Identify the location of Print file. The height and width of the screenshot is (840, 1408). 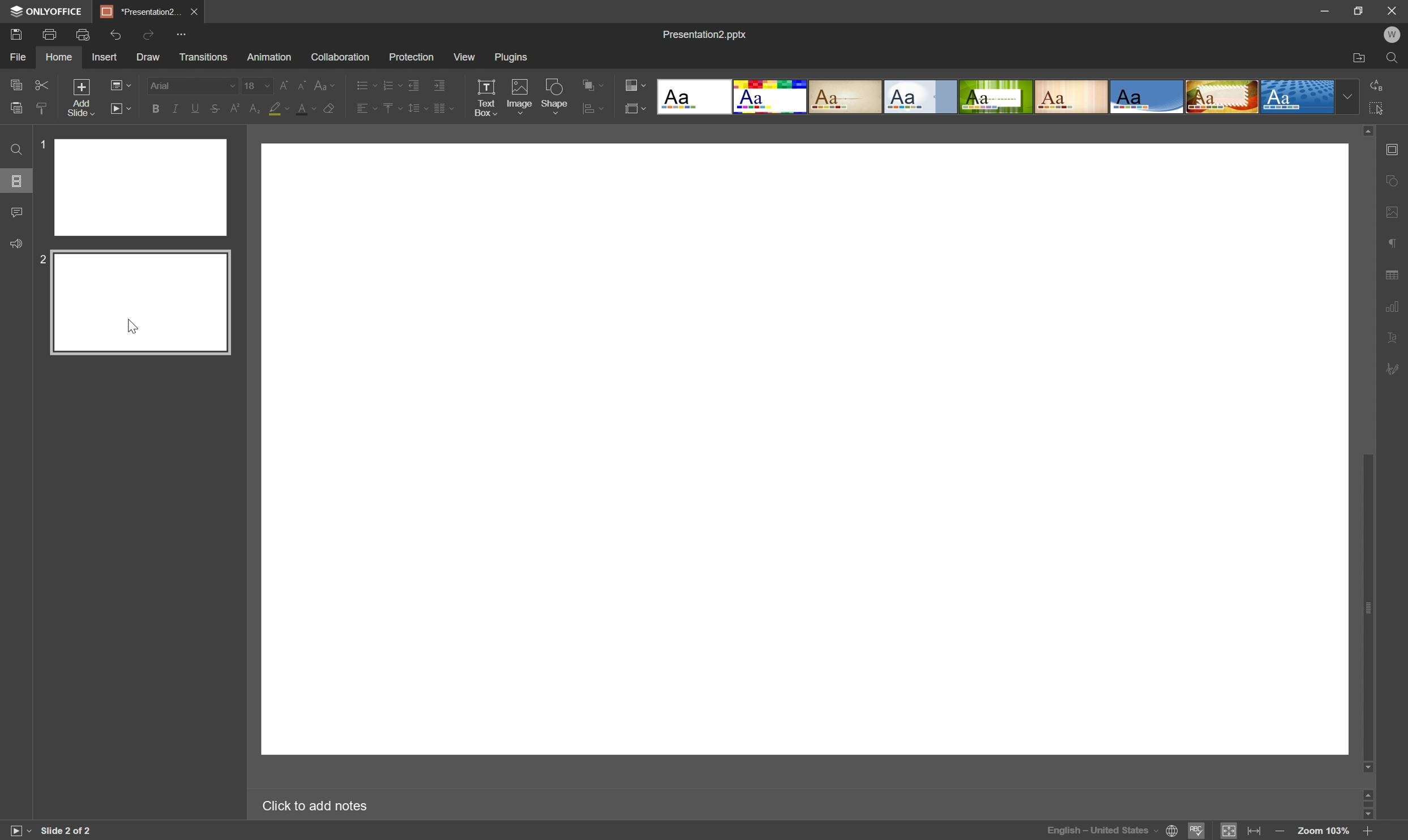
(50, 35).